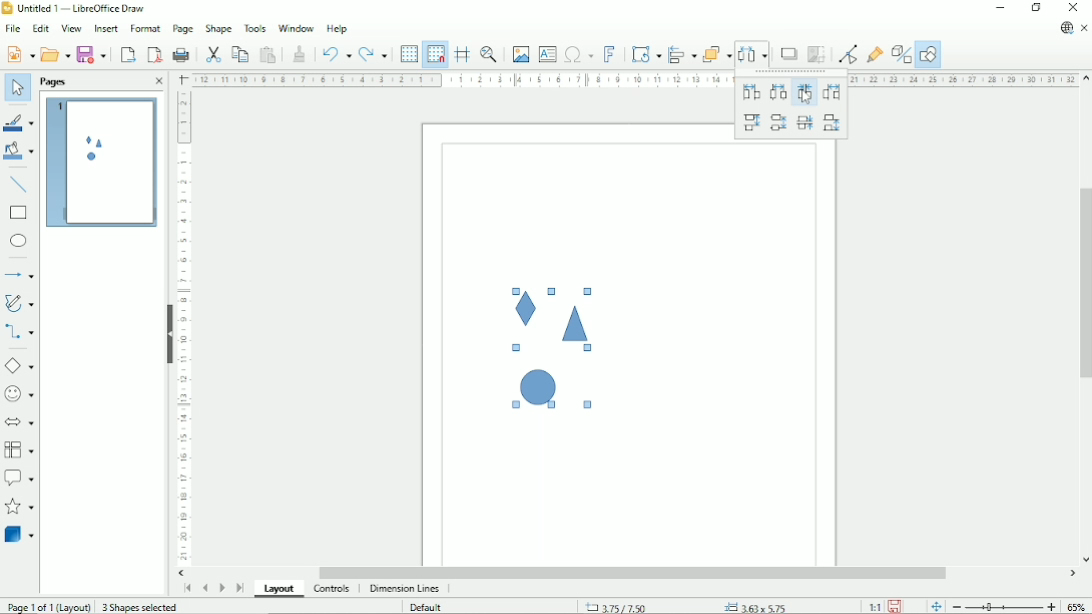  Describe the element at coordinates (19, 152) in the screenshot. I see `Fill color` at that location.